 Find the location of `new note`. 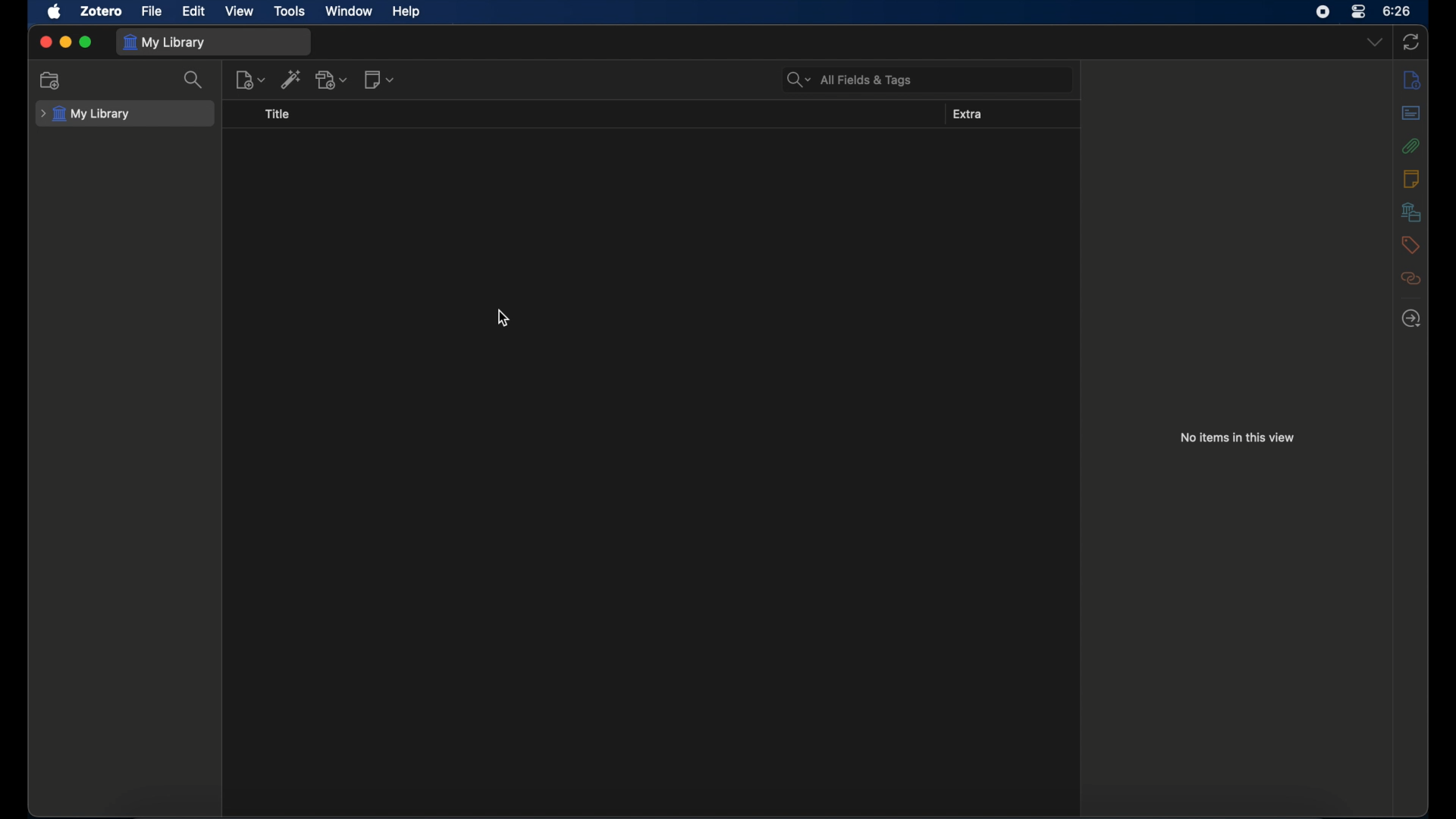

new note is located at coordinates (379, 80).